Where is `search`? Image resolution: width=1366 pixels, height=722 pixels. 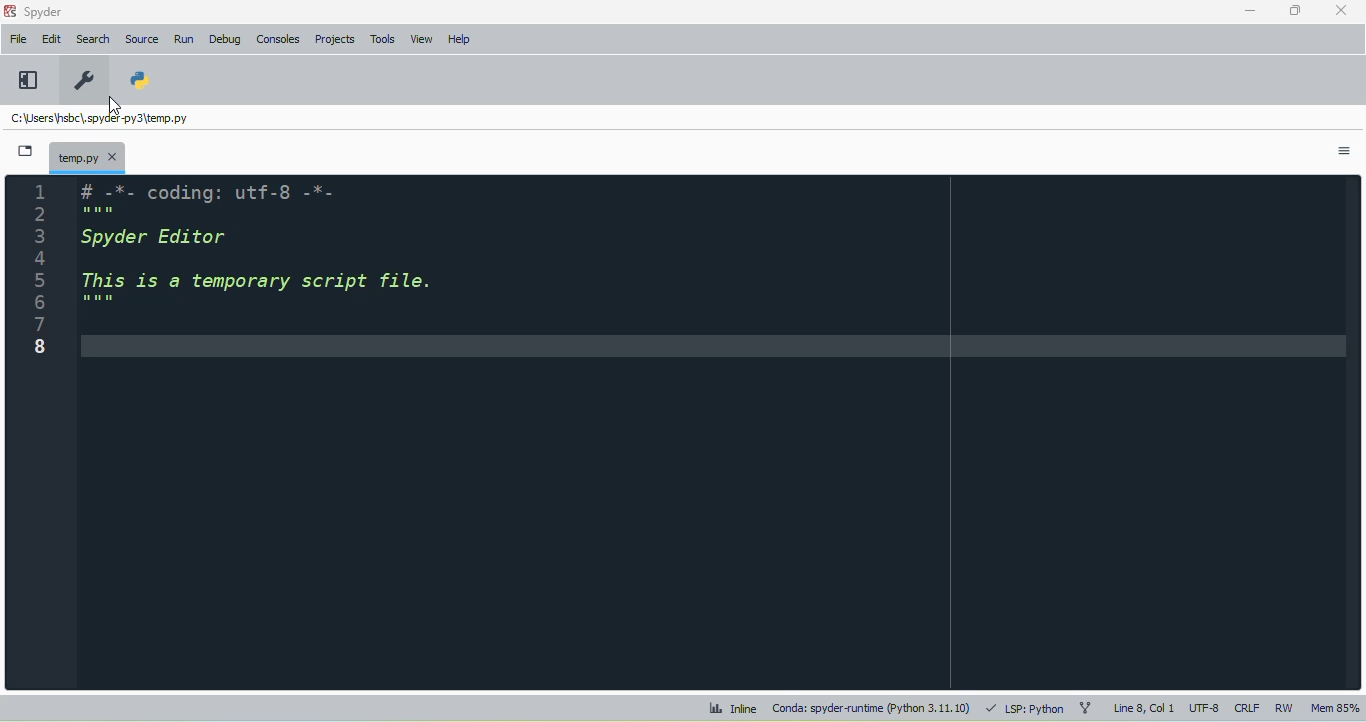
search is located at coordinates (93, 39).